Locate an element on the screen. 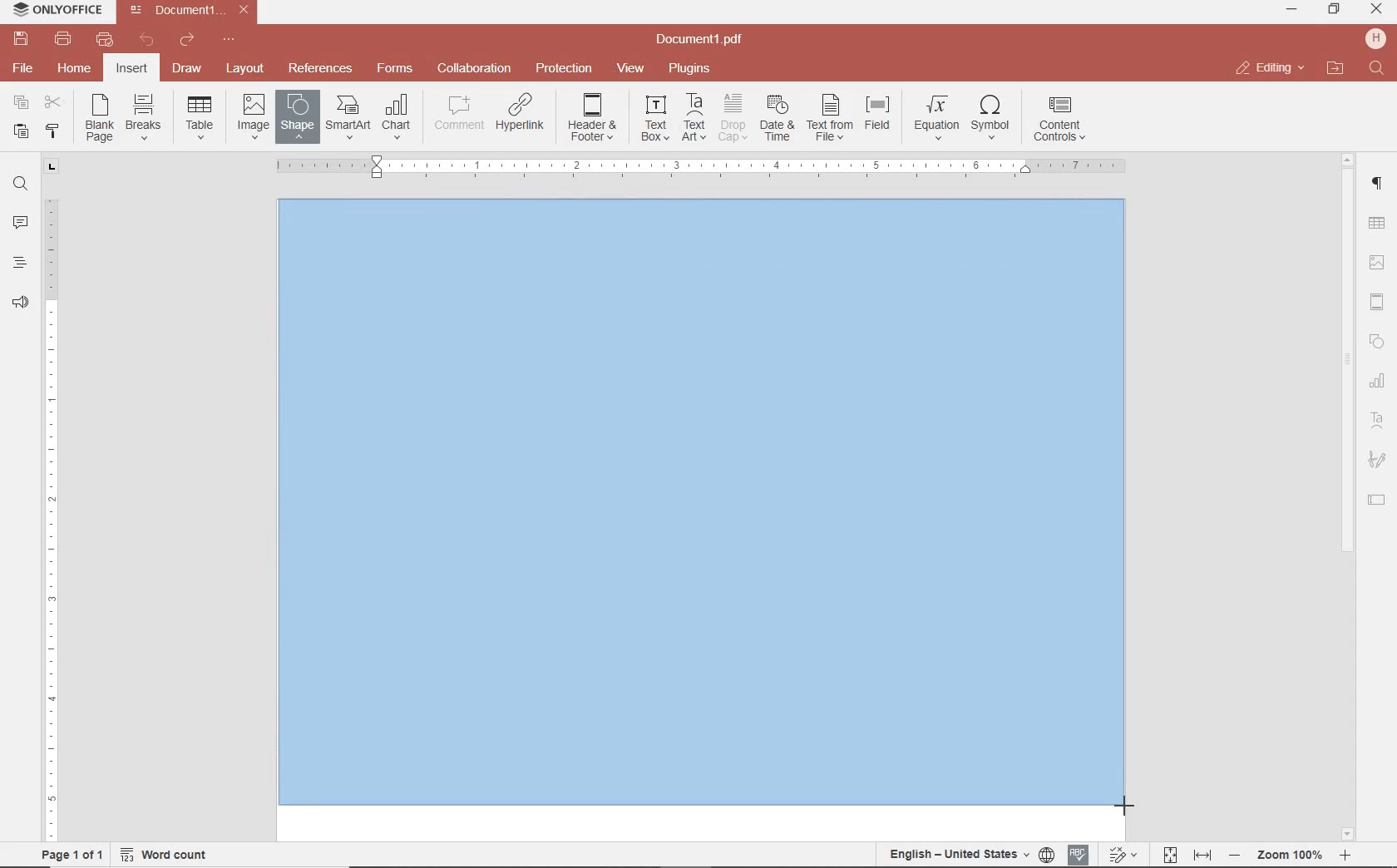 The height and width of the screenshot is (868, 1397). INSERT CURRENT DATE AND TIME is located at coordinates (775, 119).